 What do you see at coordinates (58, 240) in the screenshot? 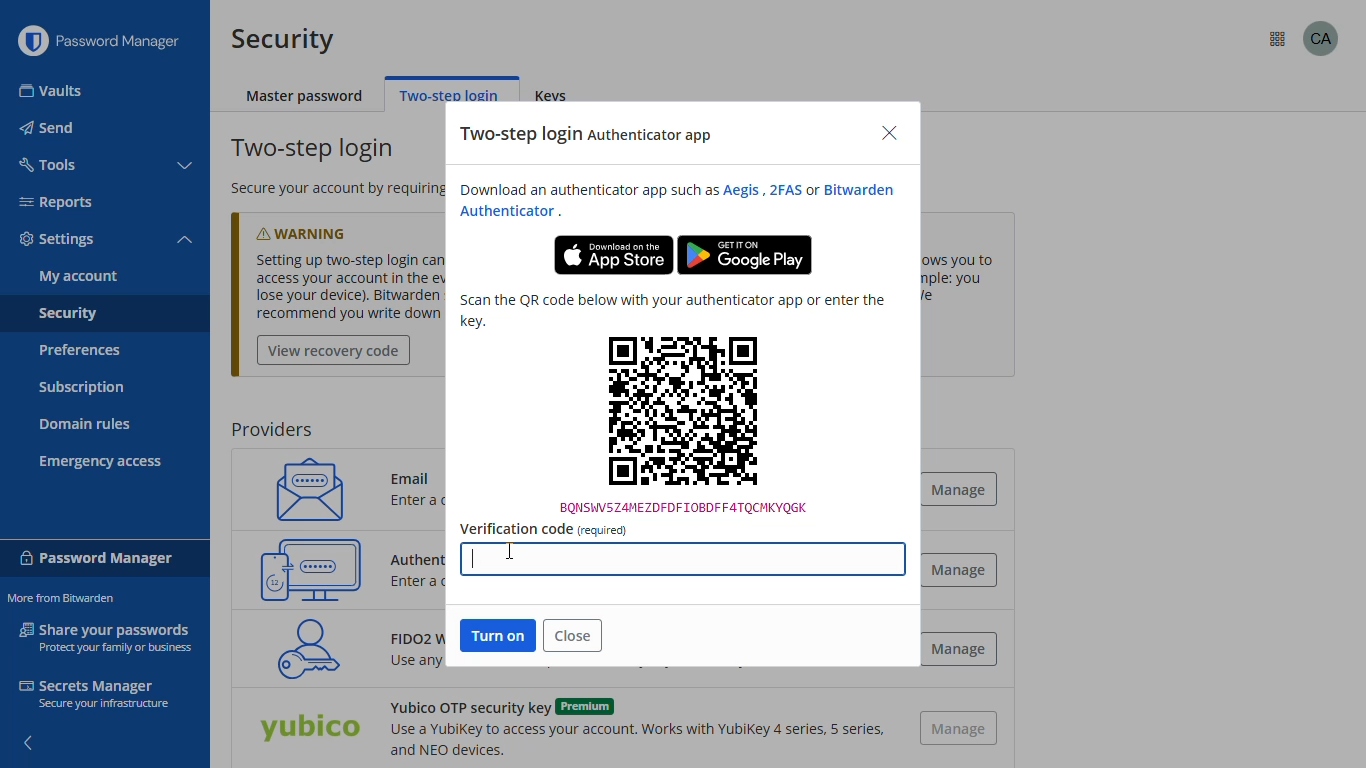
I see `settings` at bounding box center [58, 240].